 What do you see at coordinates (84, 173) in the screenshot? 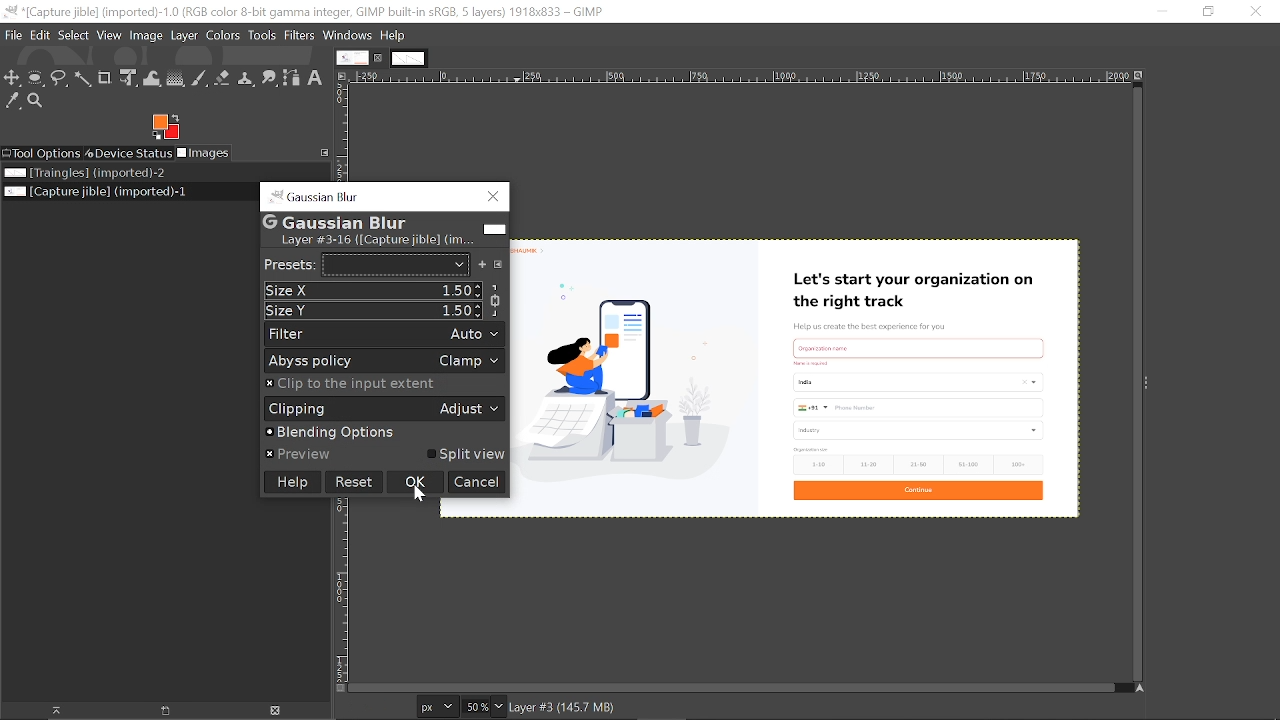
I see `File named "Triangles"` at bounding box center [84, 173].